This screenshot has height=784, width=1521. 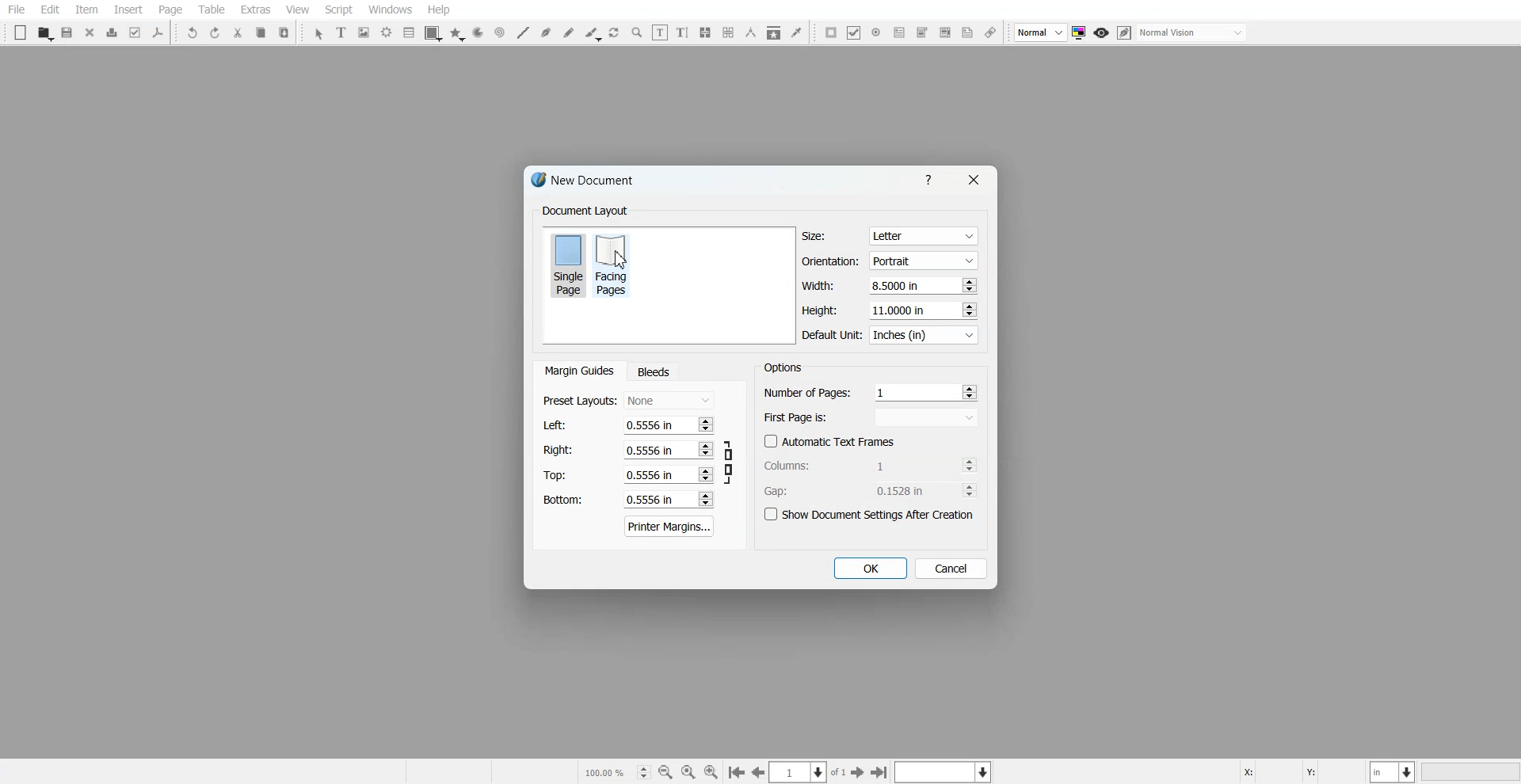 I want to click on Zoom In, so click(x=711, y=771).